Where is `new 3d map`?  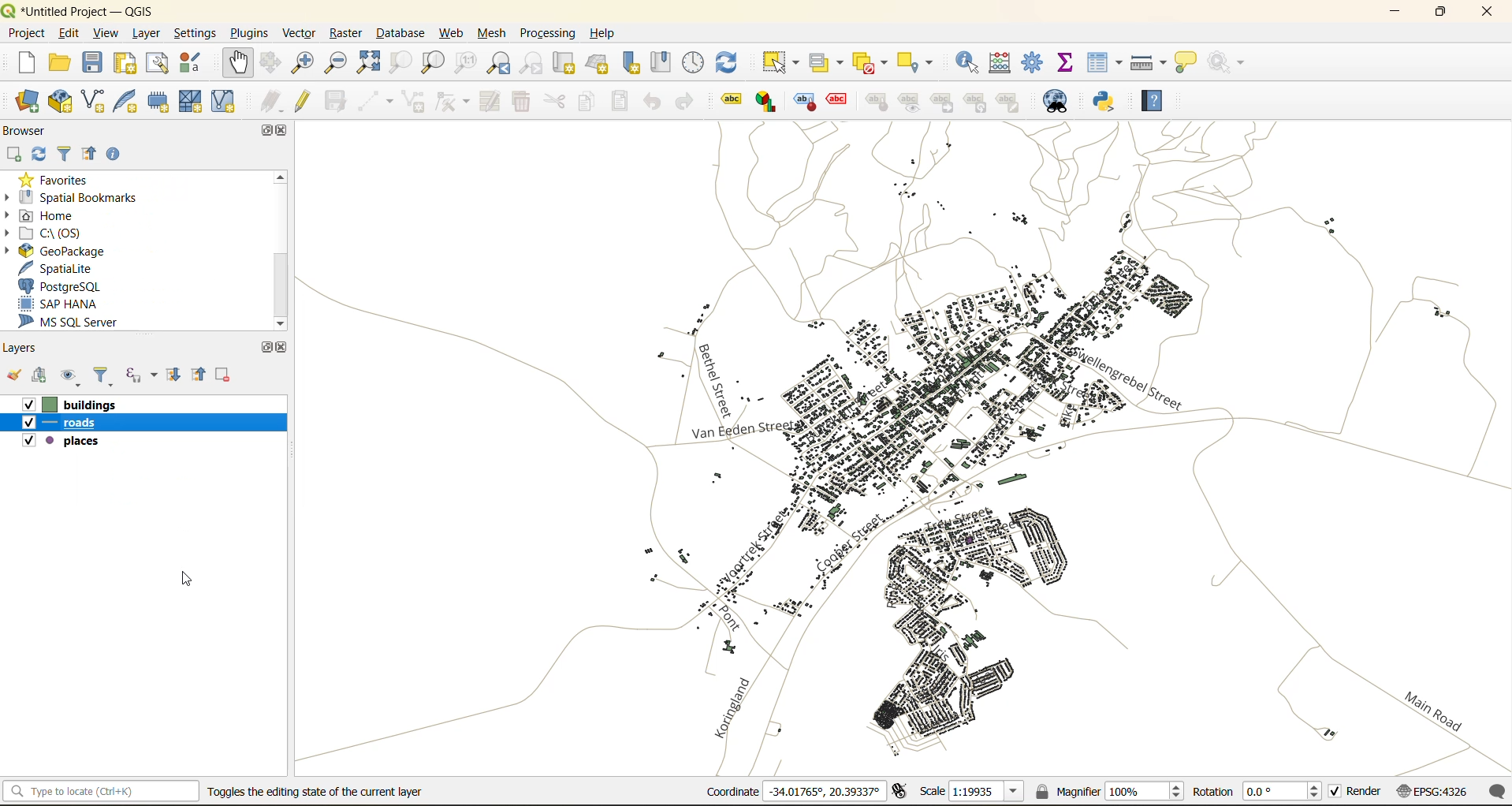
new 3d map is located at coordinates (598, 64).